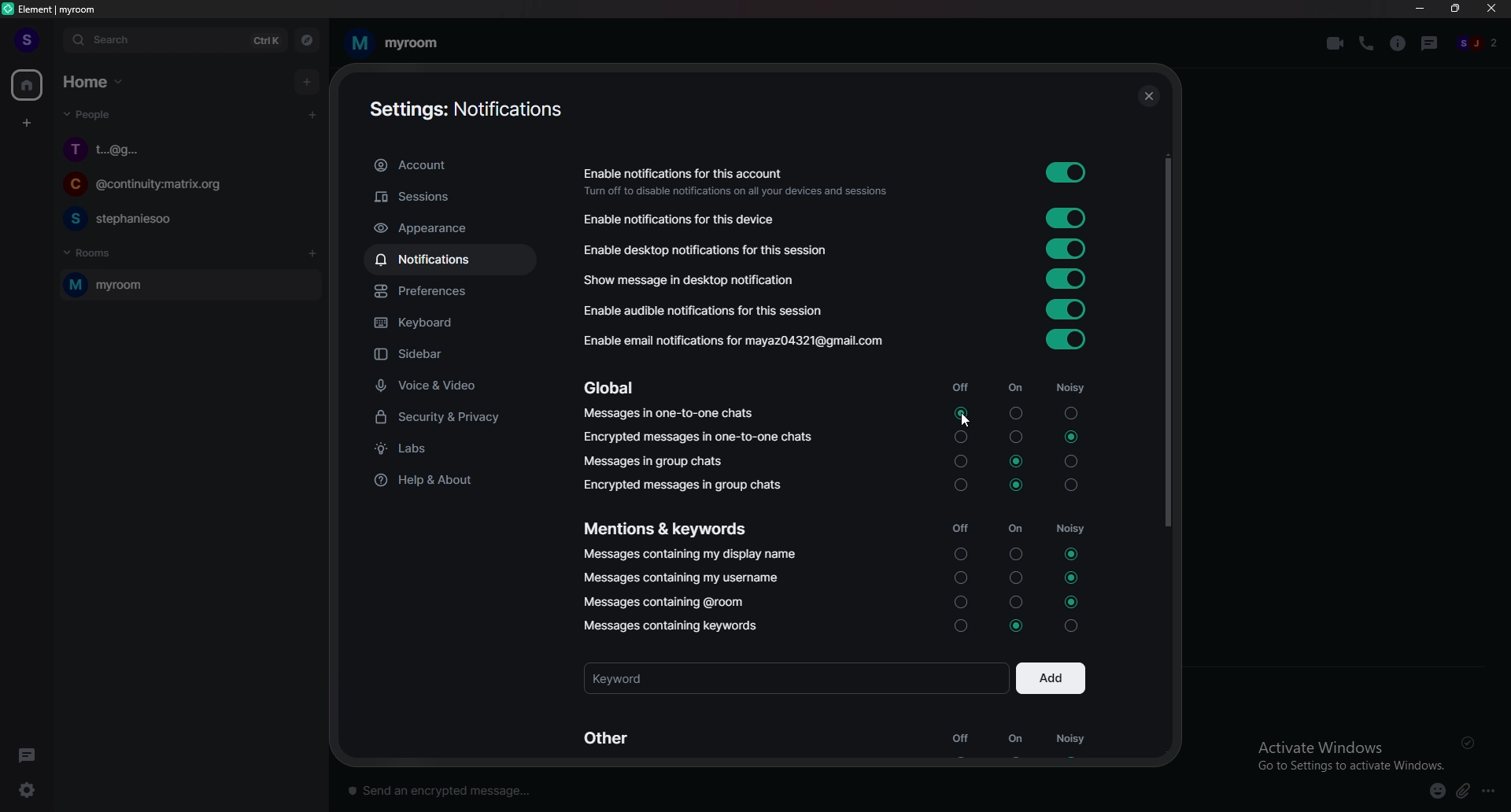  Describe the element at coordinates (1366, 44) in the screenshot. I see `voice call` at that location.